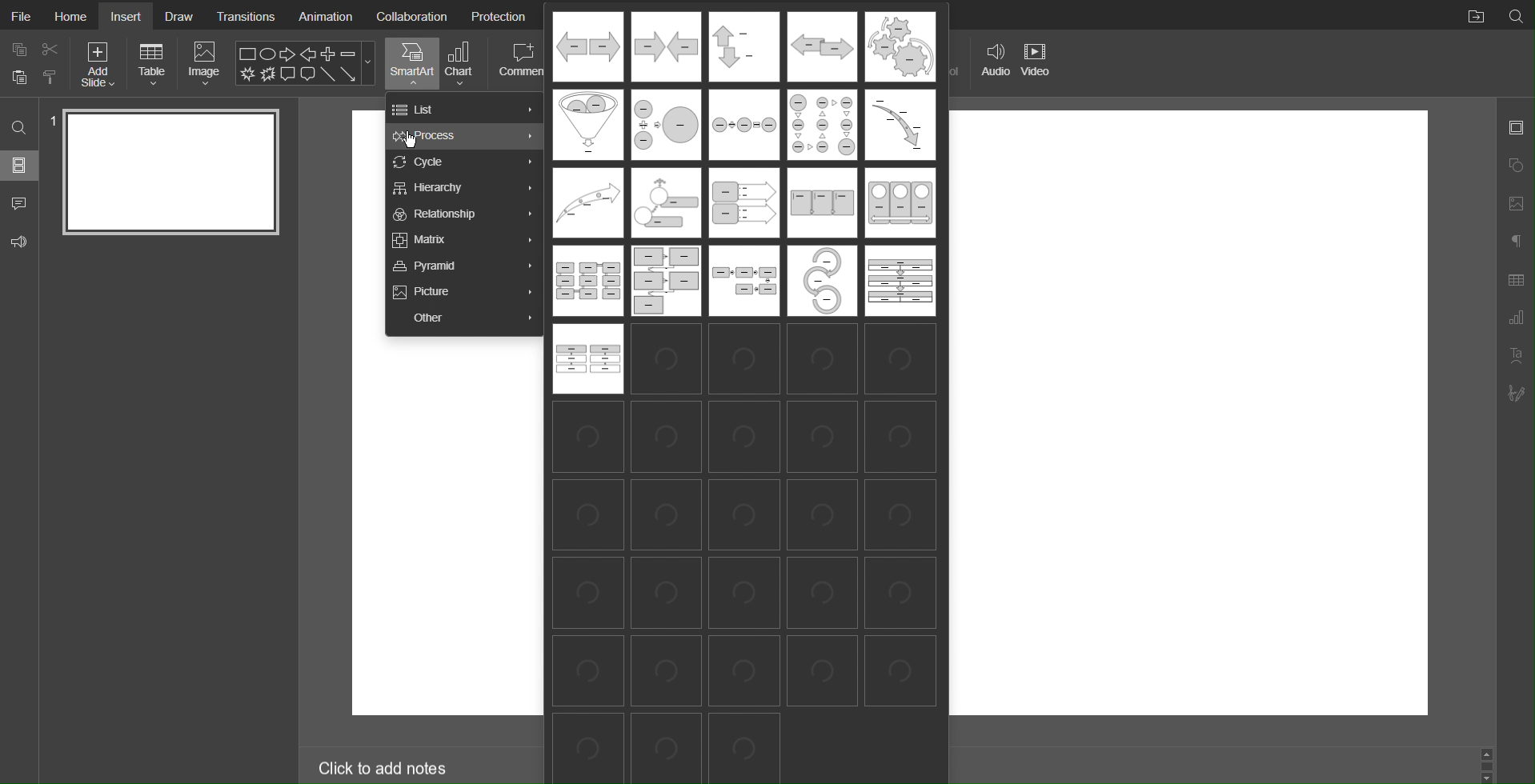 The image size is (1535, 784). I want to click on Cycle, so click(462, 162).